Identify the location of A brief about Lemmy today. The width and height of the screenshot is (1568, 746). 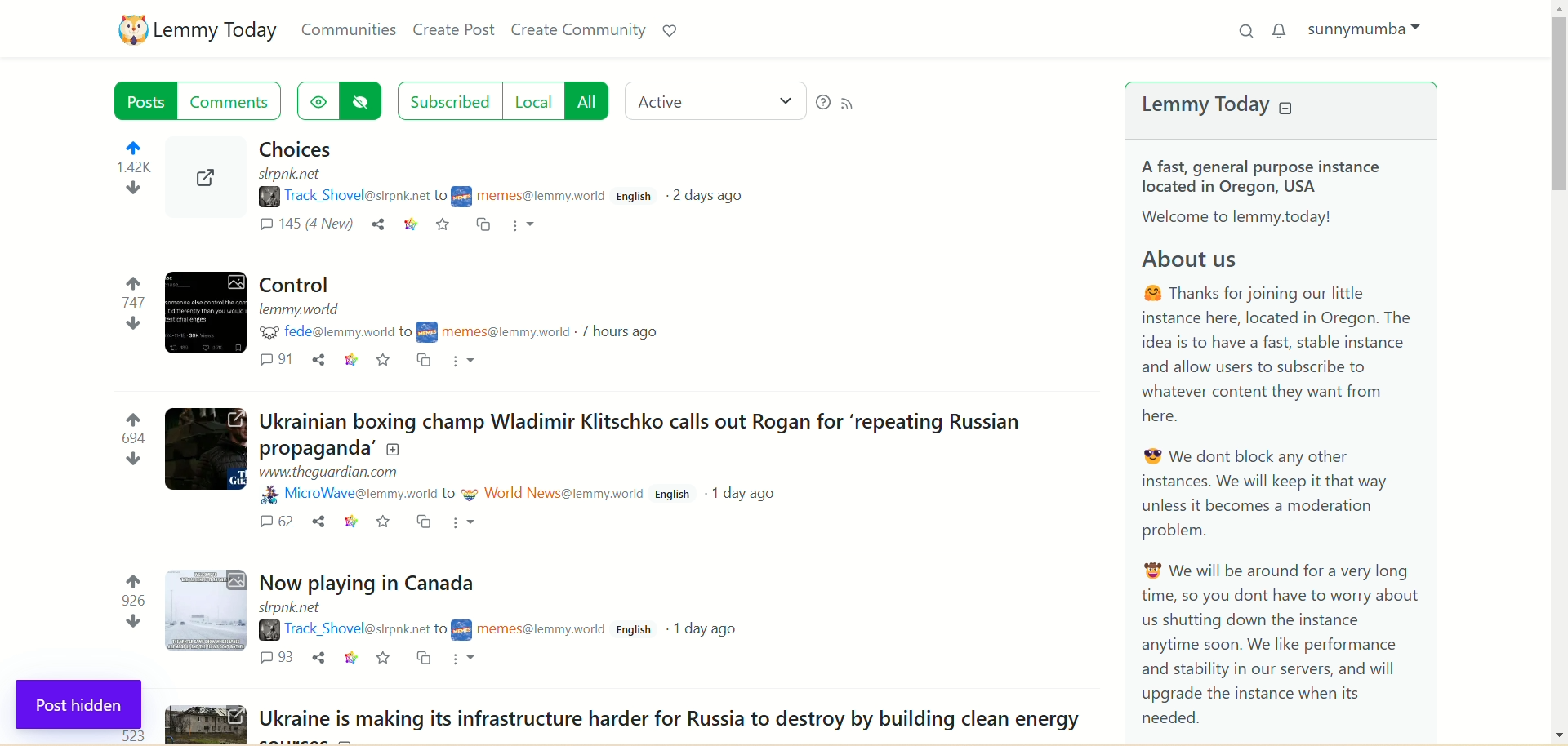
(1296, 449).